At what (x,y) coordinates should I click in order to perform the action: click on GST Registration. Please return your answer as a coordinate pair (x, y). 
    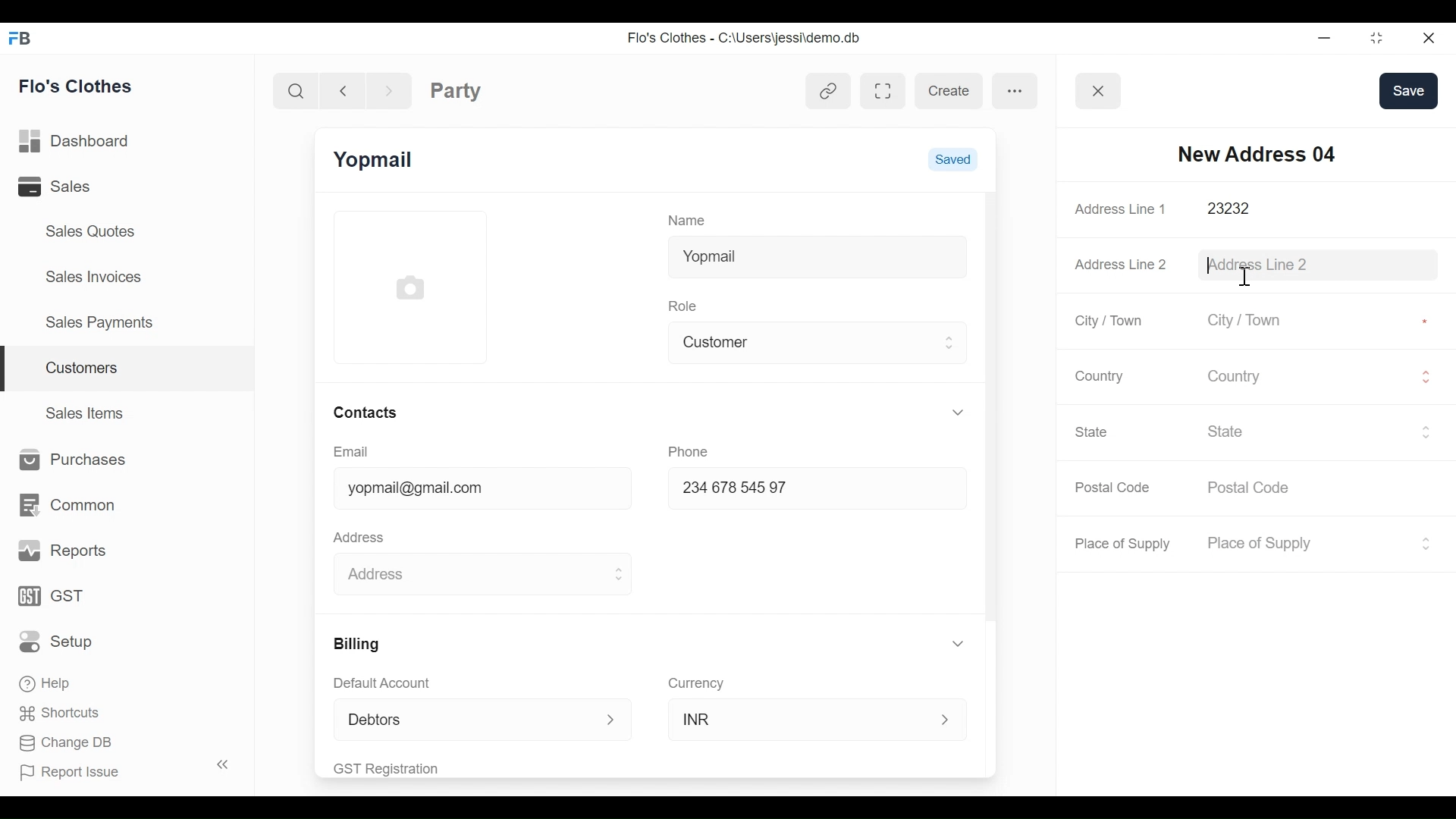
    Looking at the image, I should click on (405, 768).